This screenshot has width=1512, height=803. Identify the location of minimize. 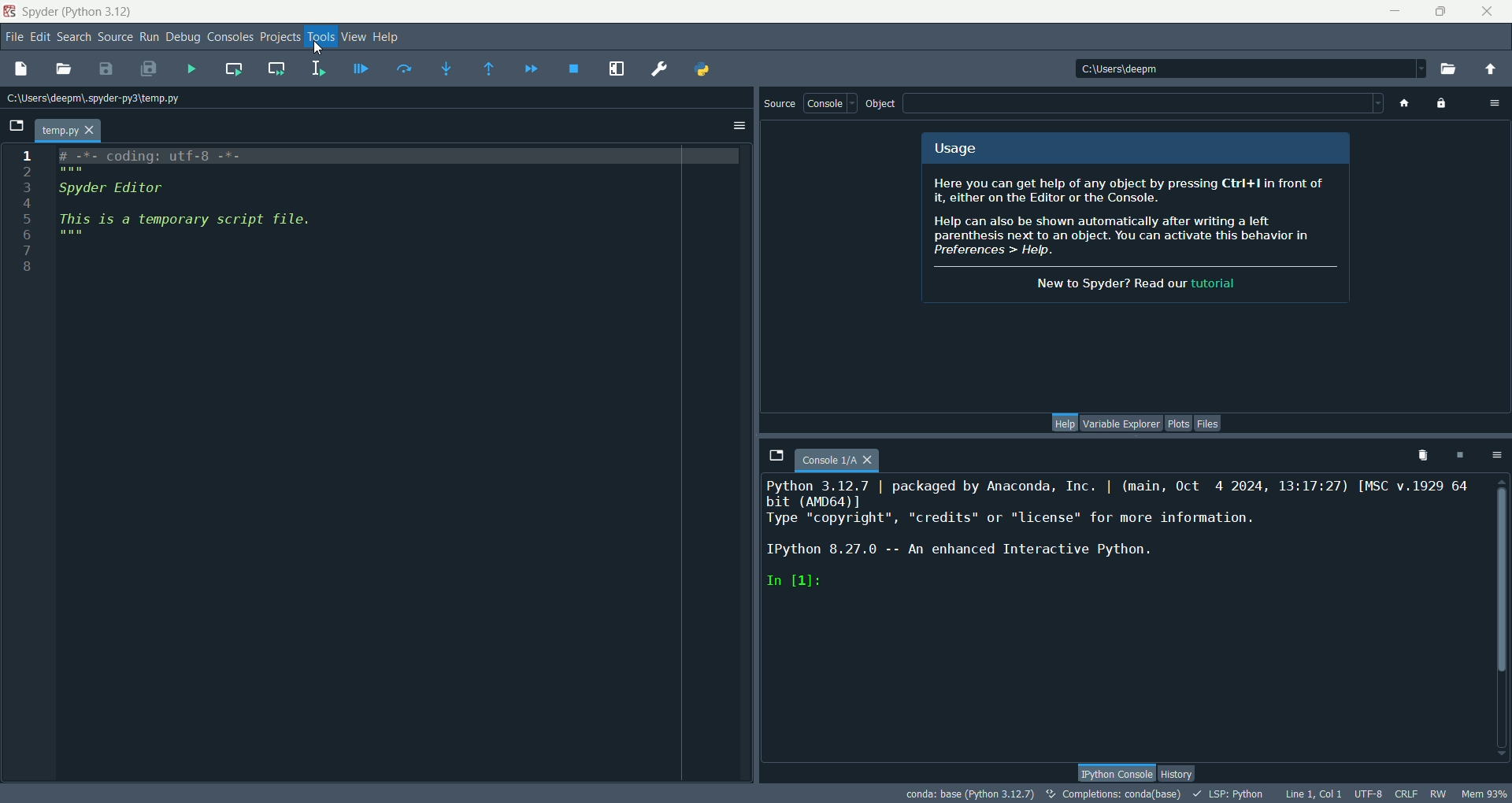
(1394, 9).